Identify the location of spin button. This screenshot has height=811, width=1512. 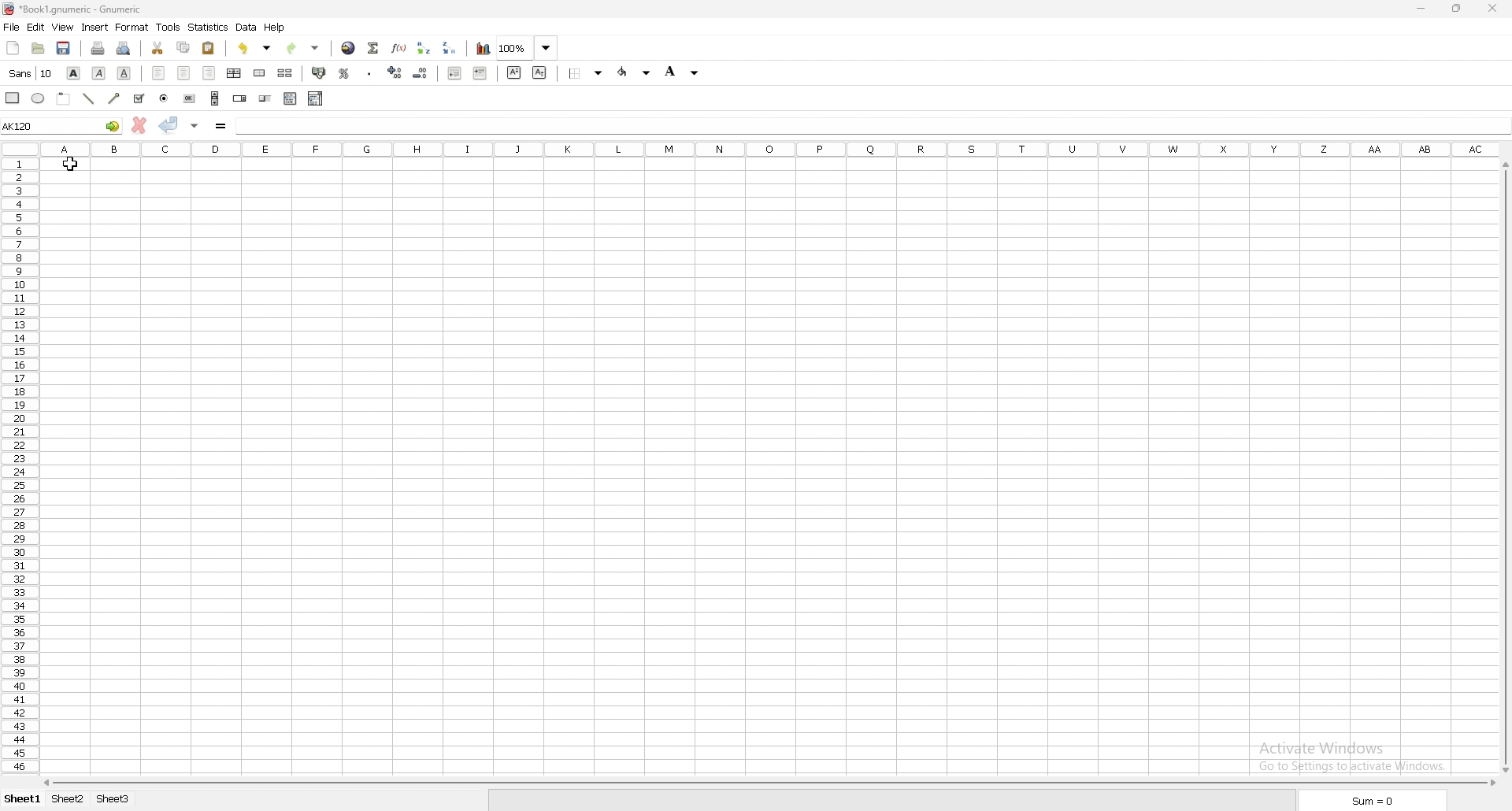
(240, 98).